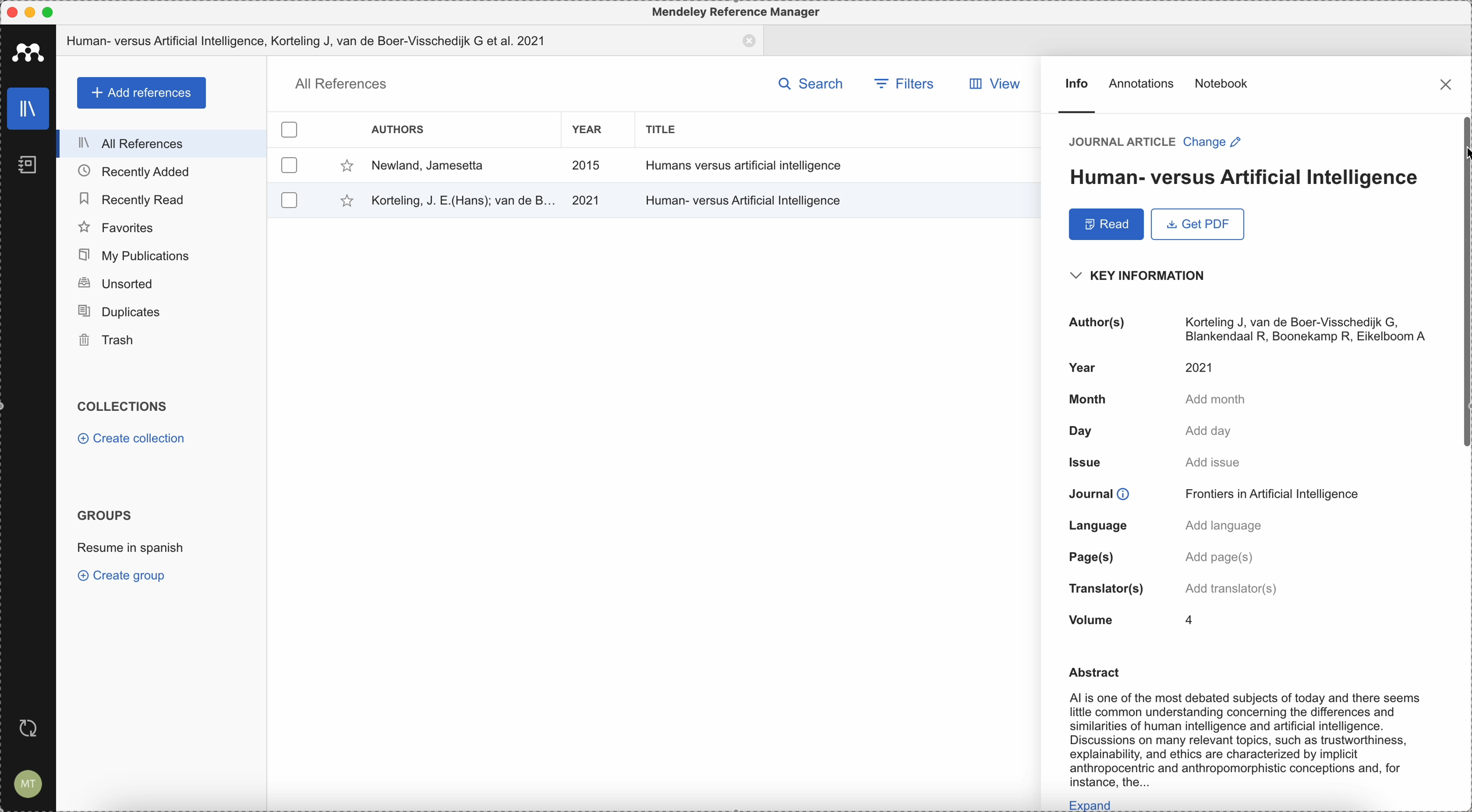 This screenshot has width=1472, height=812. What do you see at coordinates (105, 515) in the screenshot?
I see `groups` at bounding box center [105, 515].